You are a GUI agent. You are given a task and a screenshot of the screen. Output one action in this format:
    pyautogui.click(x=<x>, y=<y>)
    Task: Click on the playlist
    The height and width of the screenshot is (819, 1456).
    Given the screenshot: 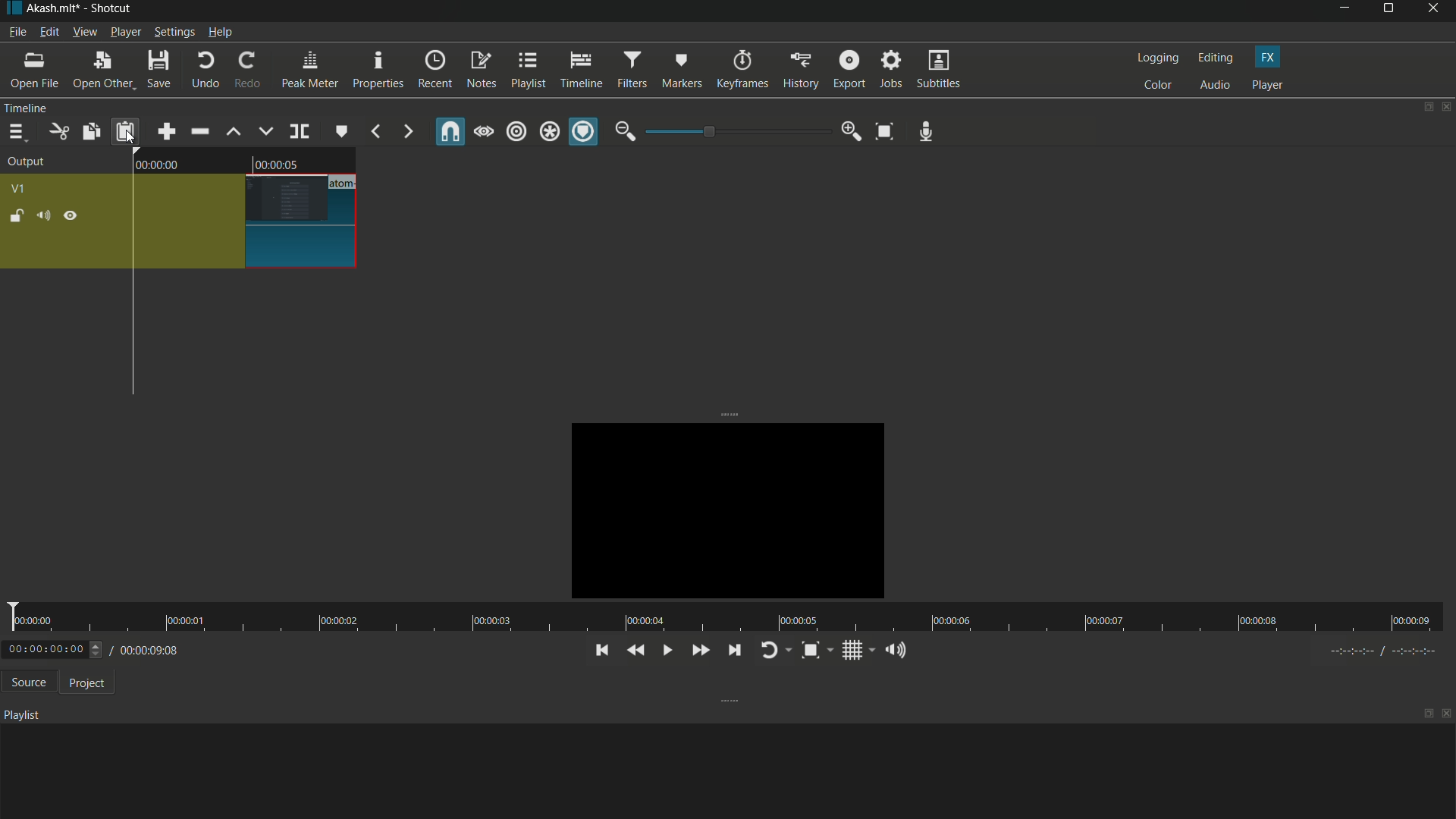 What is the action you would take?
    pyautogui.click(x=527, y=71)
    